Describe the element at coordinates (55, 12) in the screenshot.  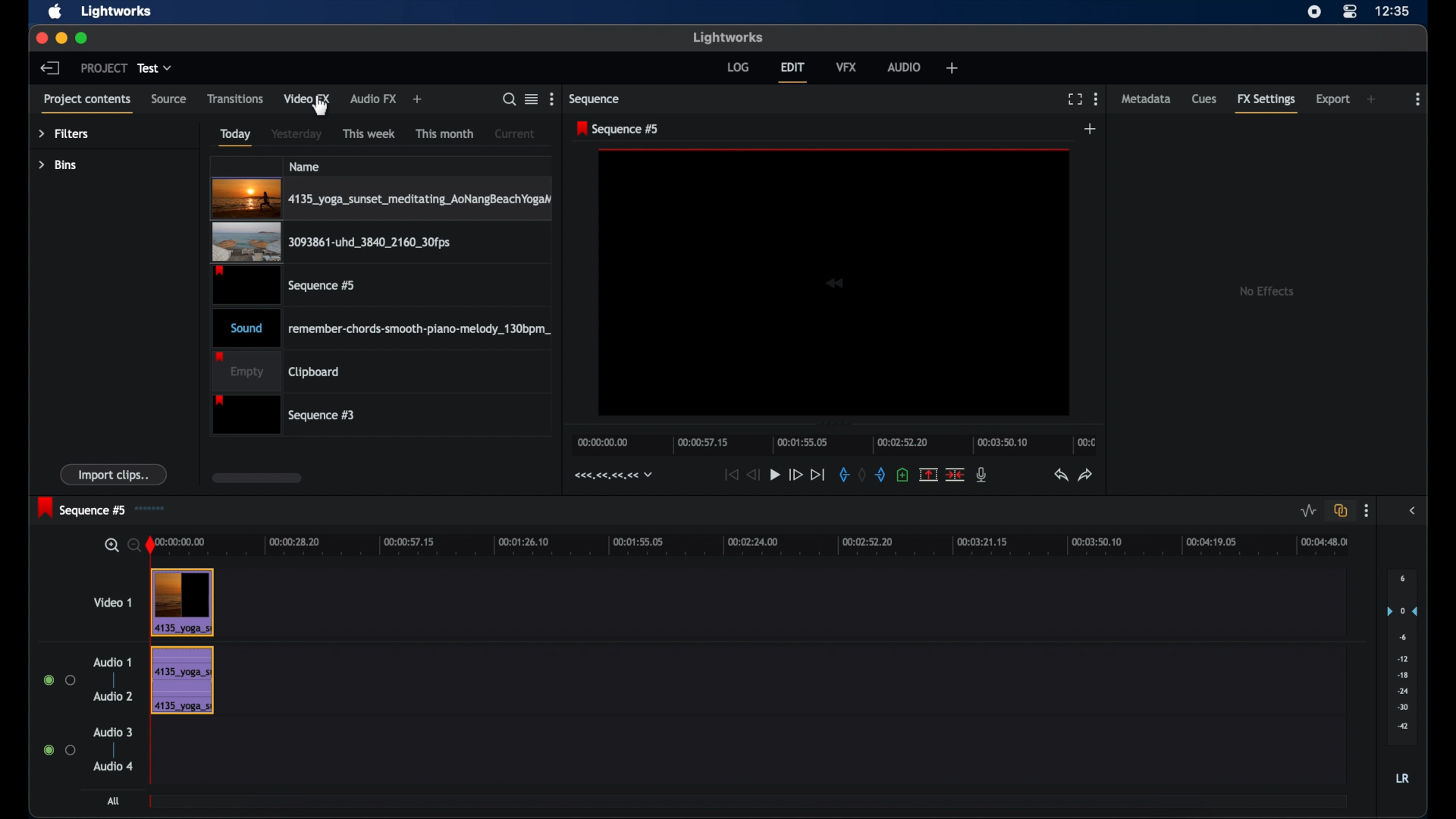
I see `apple icon` at that location.